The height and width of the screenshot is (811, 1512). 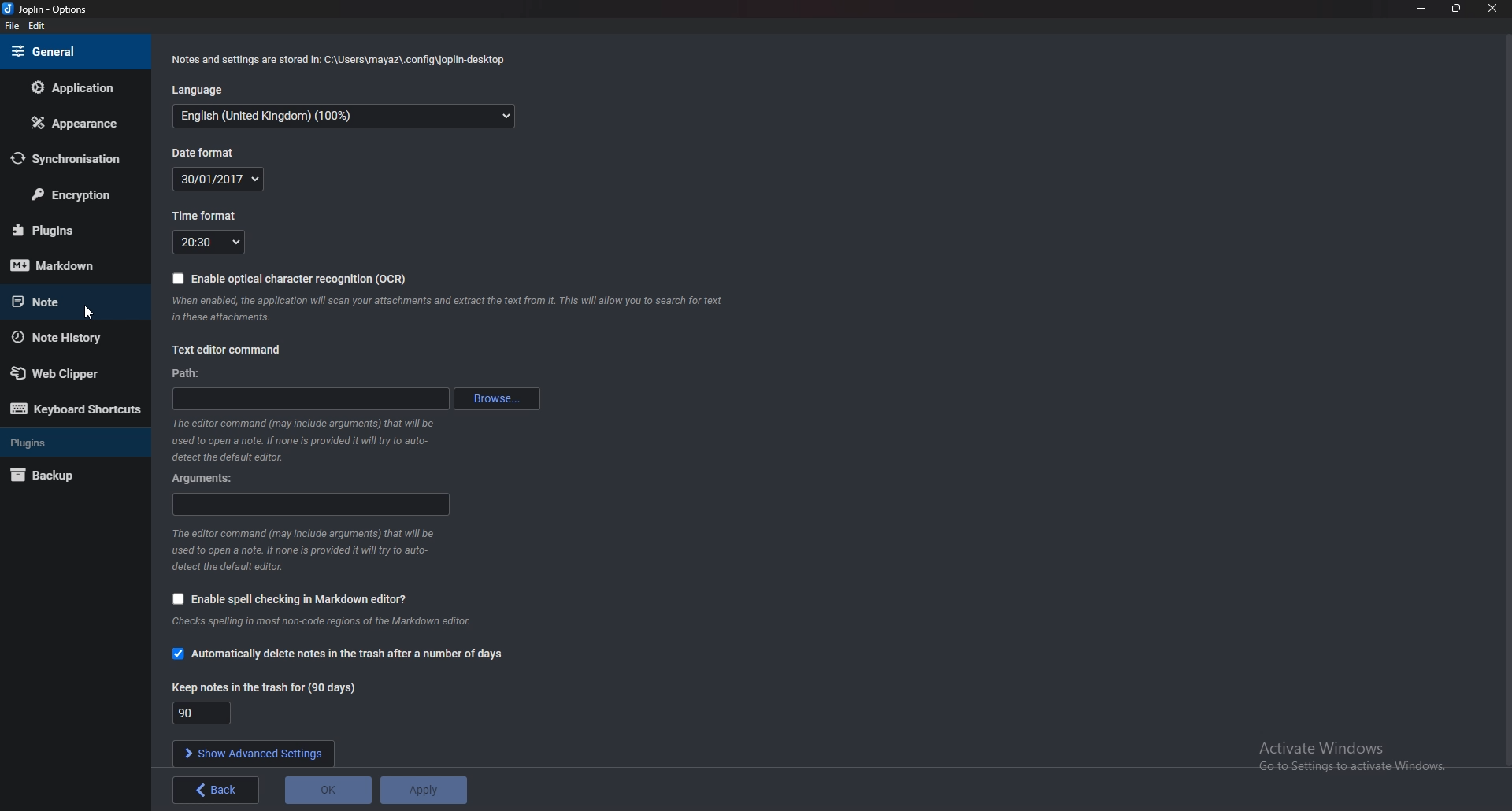 I want to click on Cursor, so click(x=92, y=313).